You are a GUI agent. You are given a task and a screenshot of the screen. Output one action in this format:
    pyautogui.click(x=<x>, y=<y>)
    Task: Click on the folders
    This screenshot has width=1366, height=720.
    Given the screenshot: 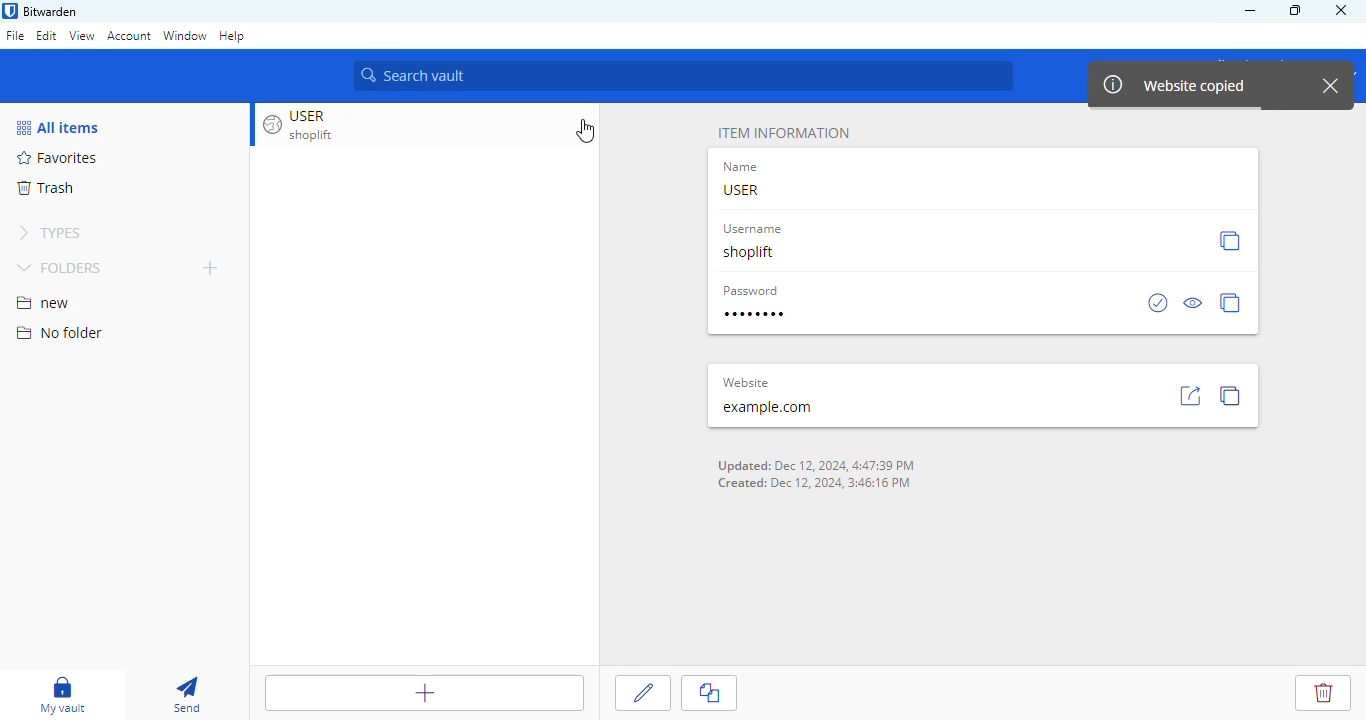 What is the action you would take?
    pyautogui.click(x=61, y=268)
    